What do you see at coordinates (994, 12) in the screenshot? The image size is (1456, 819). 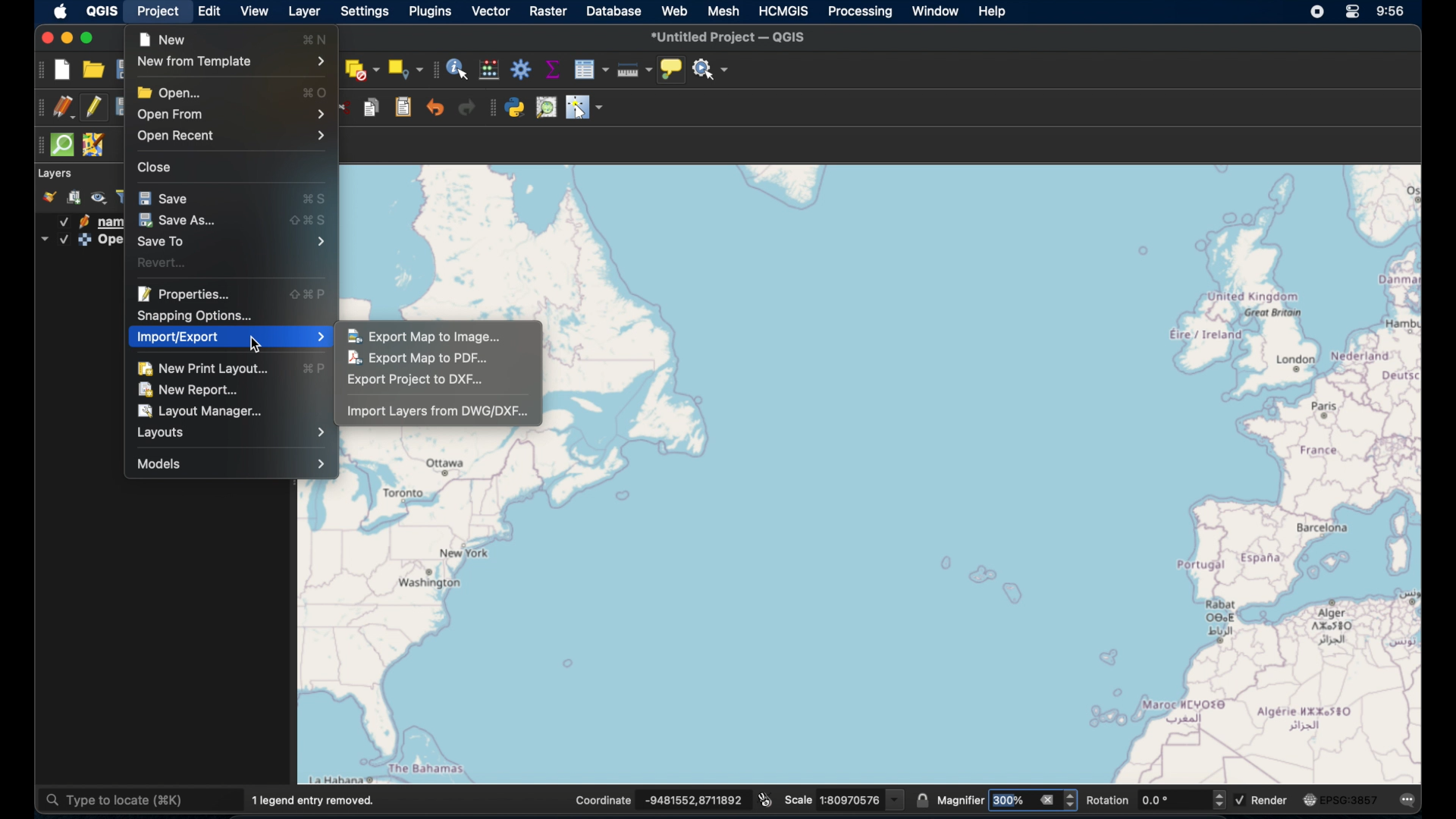 I see `help` at bounding box center [994, 12].